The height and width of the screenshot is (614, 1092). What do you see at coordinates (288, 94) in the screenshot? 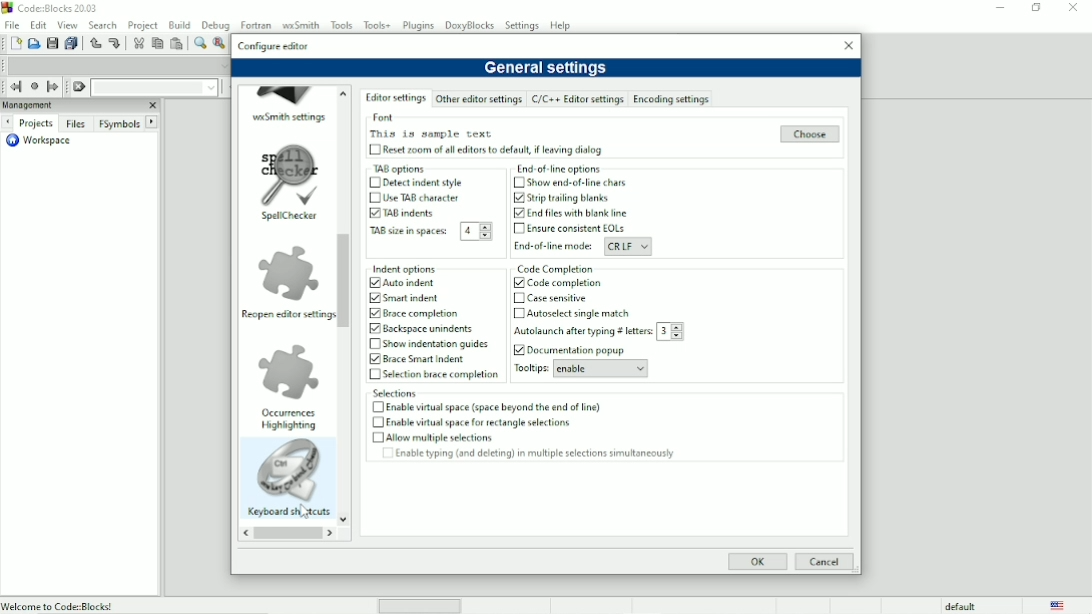
I see `Image` at bounding box center [288, 94].